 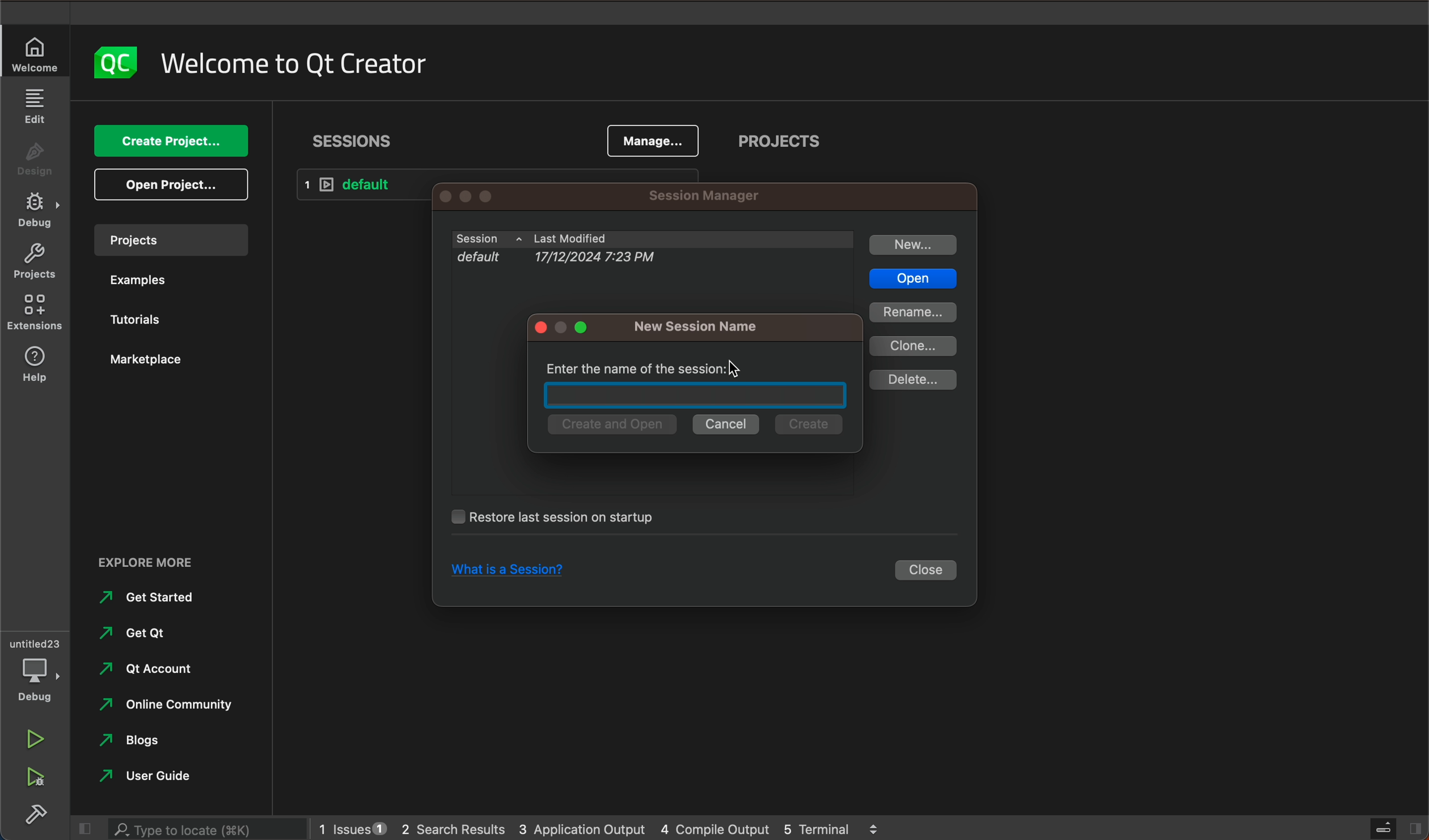 What do you see at coordinates (566, 328) in the screenshot?
I see `window controls` at bounding box center [566, 328].